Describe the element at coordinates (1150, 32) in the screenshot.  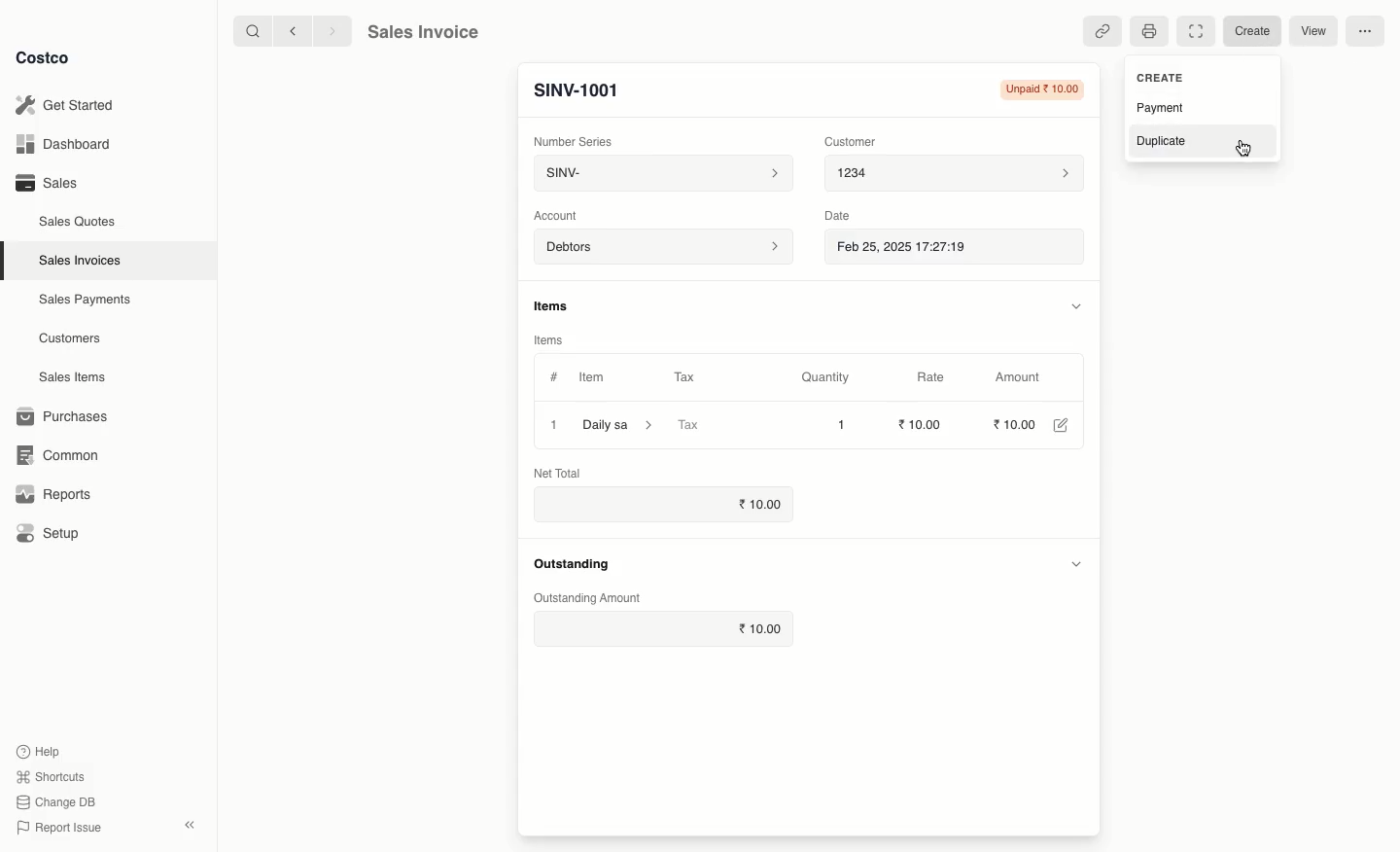
I see `Print` at that location.